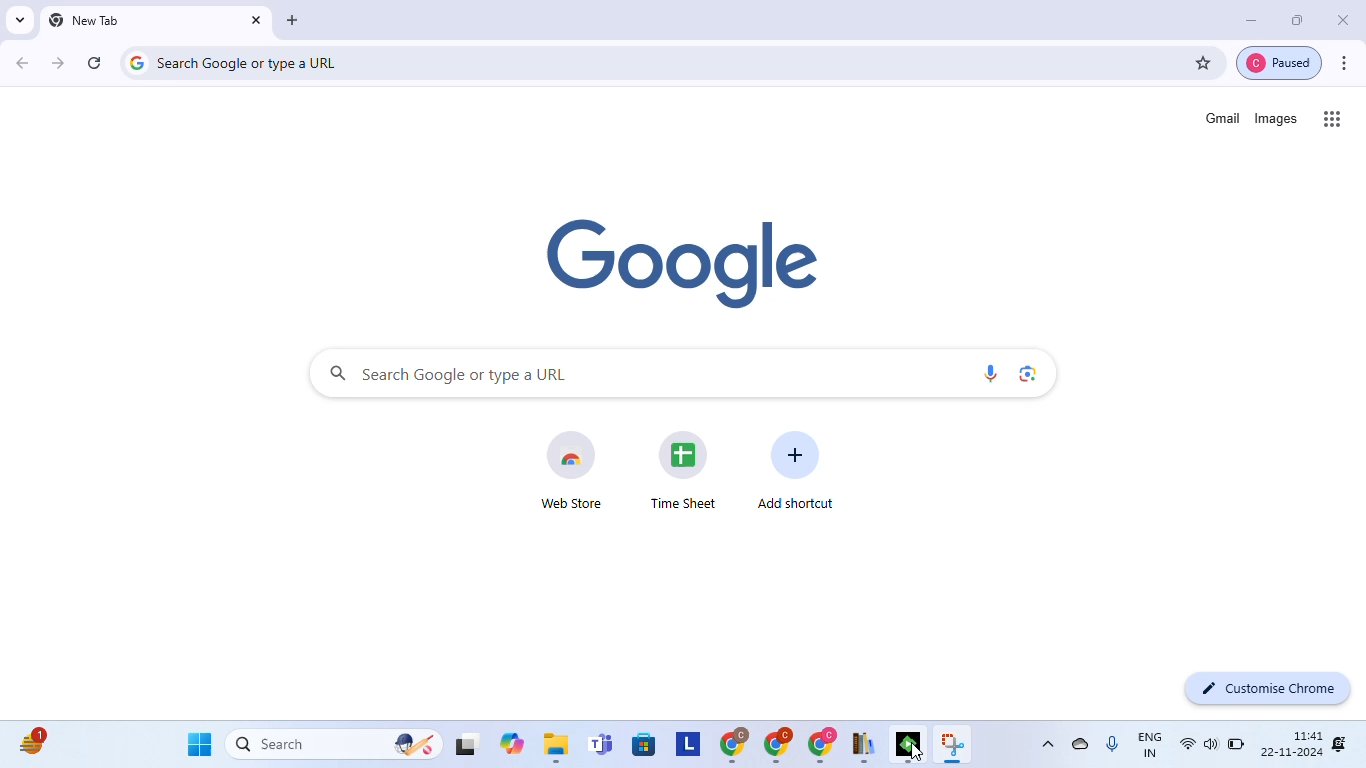 The height and width of the screenshot is (768, 1366). I want to click on show hidden icons, so click(1048, 743).